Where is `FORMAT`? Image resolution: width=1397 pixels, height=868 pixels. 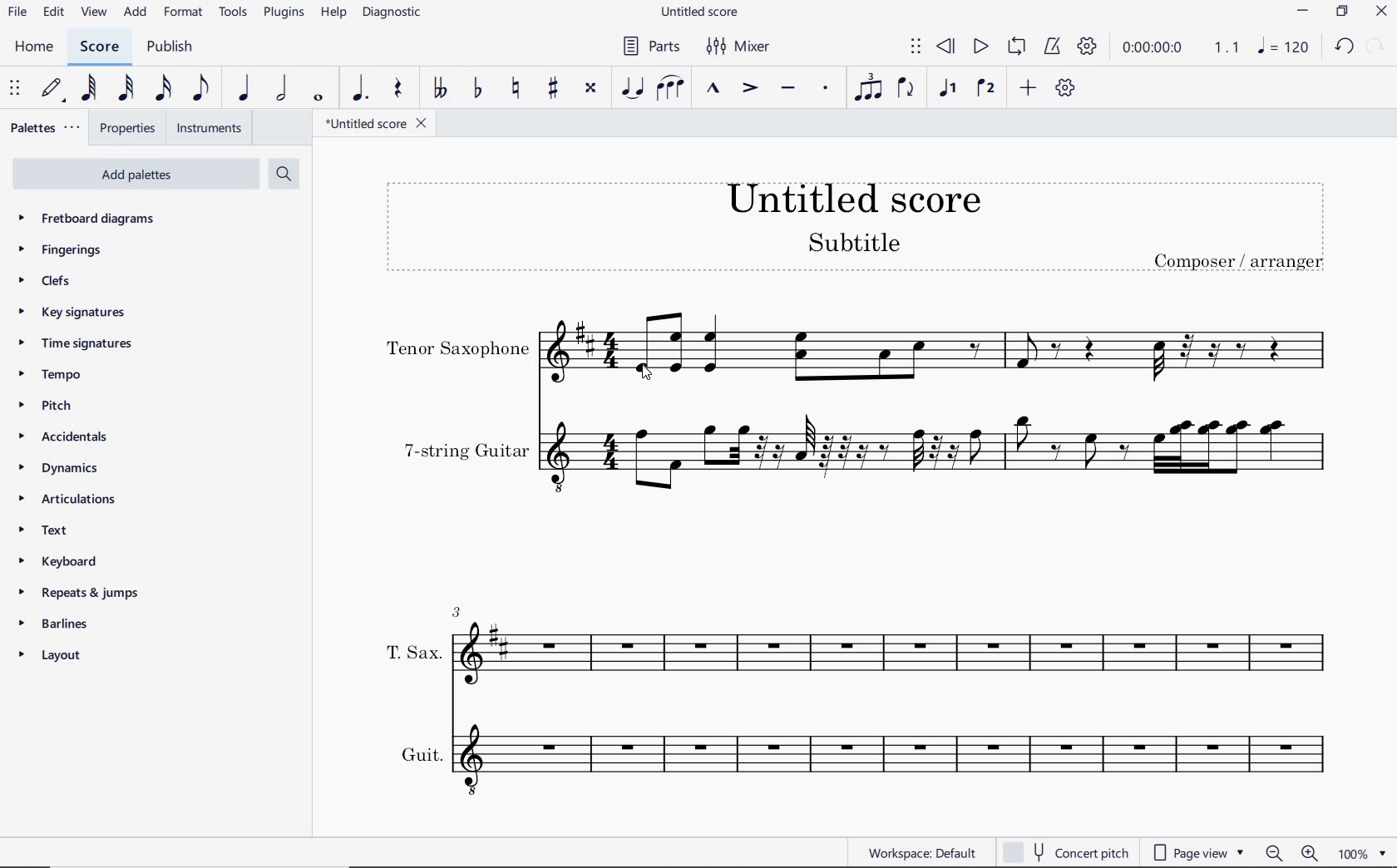
FORMAT is located at coordinates (185, 12).